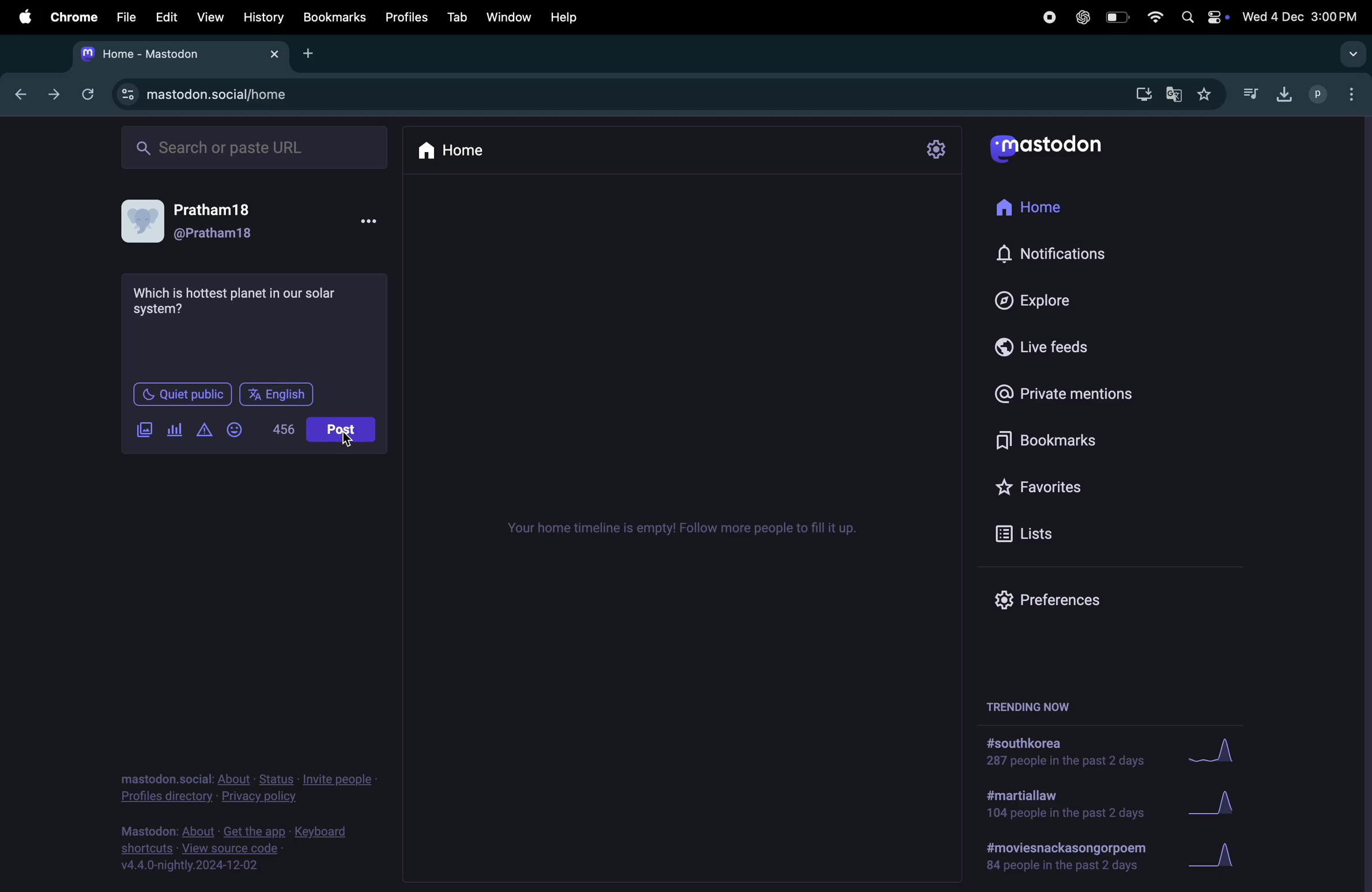 This screenshot has height=892, width=1372. What do you see at coordinates (1071, 439) in the screenshot?
I see `Bookmark` at bounding box center [1071, 439].